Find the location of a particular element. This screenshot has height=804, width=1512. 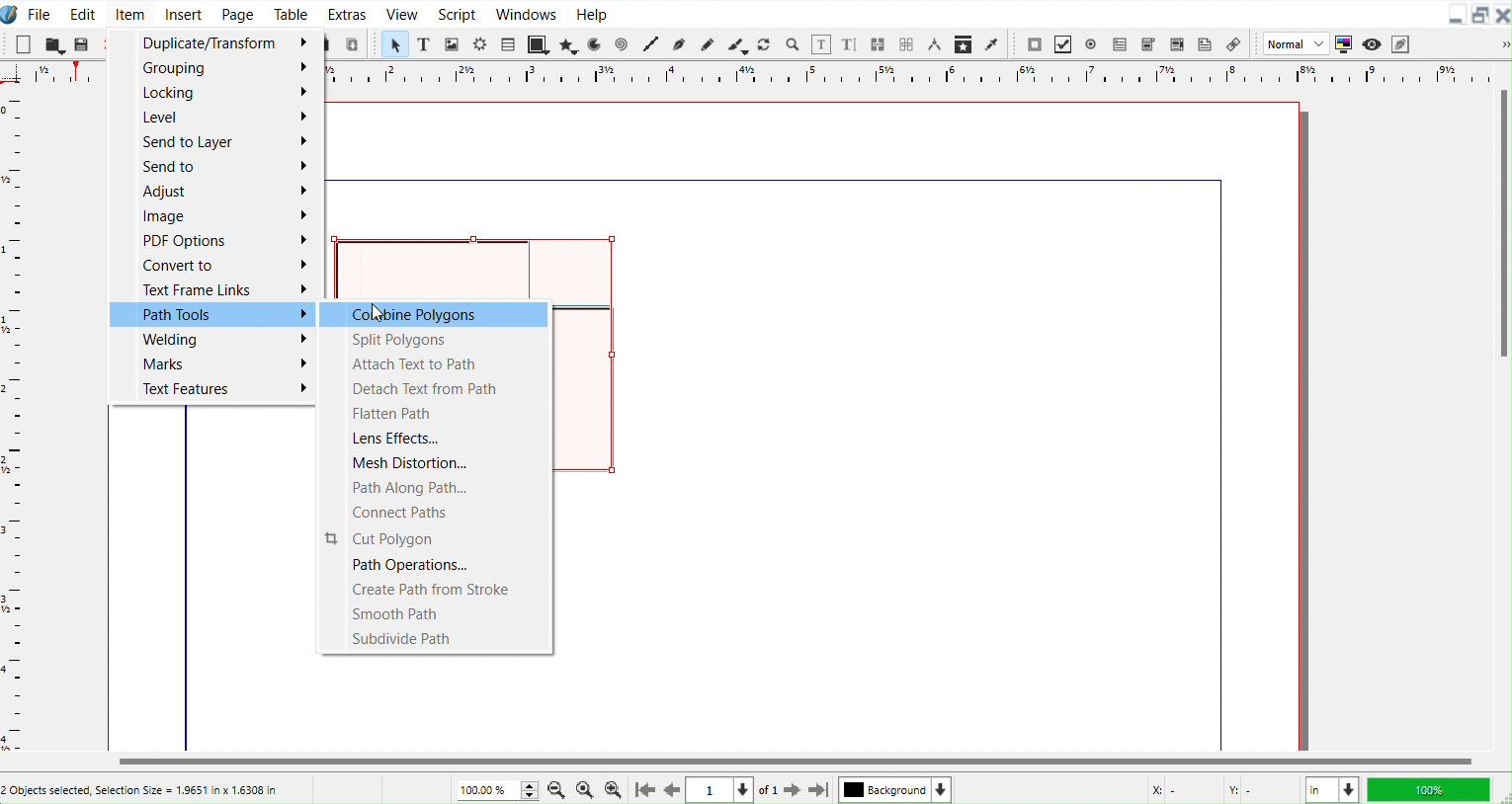

Page is located at coordinates (236, 13).